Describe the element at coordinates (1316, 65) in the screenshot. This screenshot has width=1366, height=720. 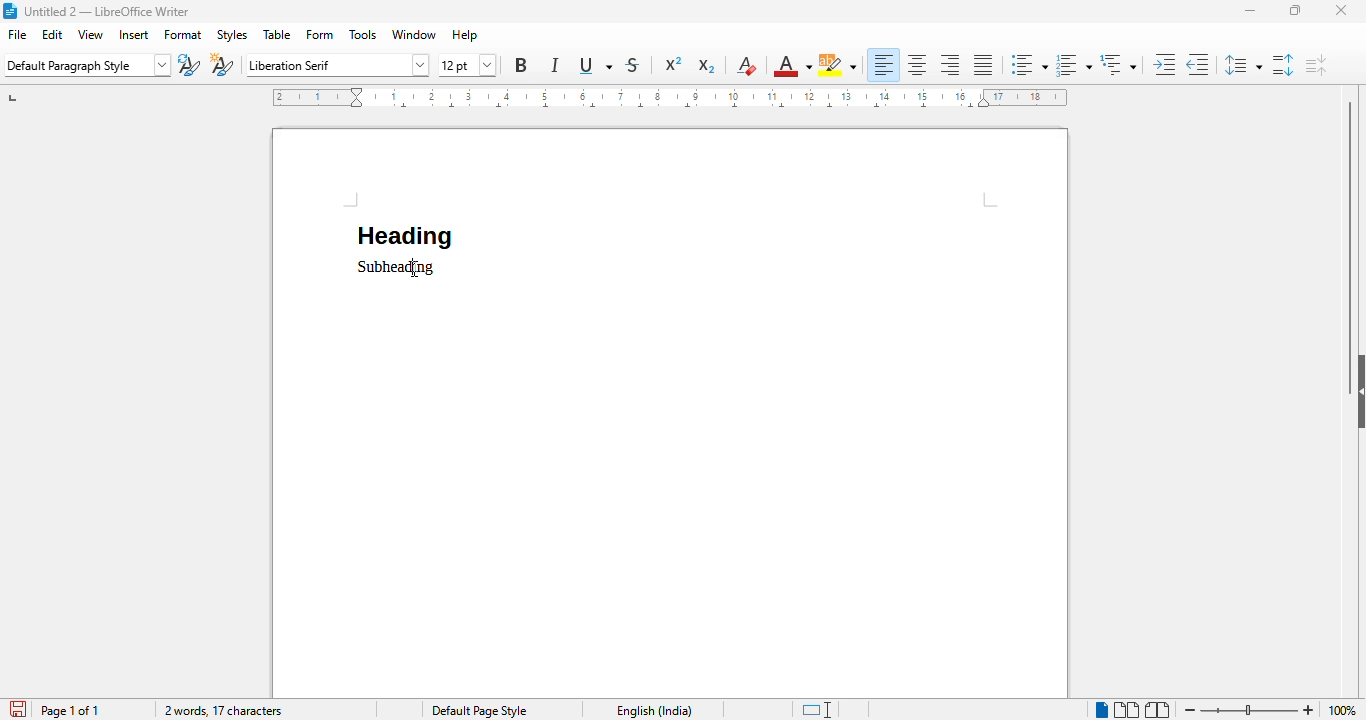
I see `decrease paragraph spacing` at that location.